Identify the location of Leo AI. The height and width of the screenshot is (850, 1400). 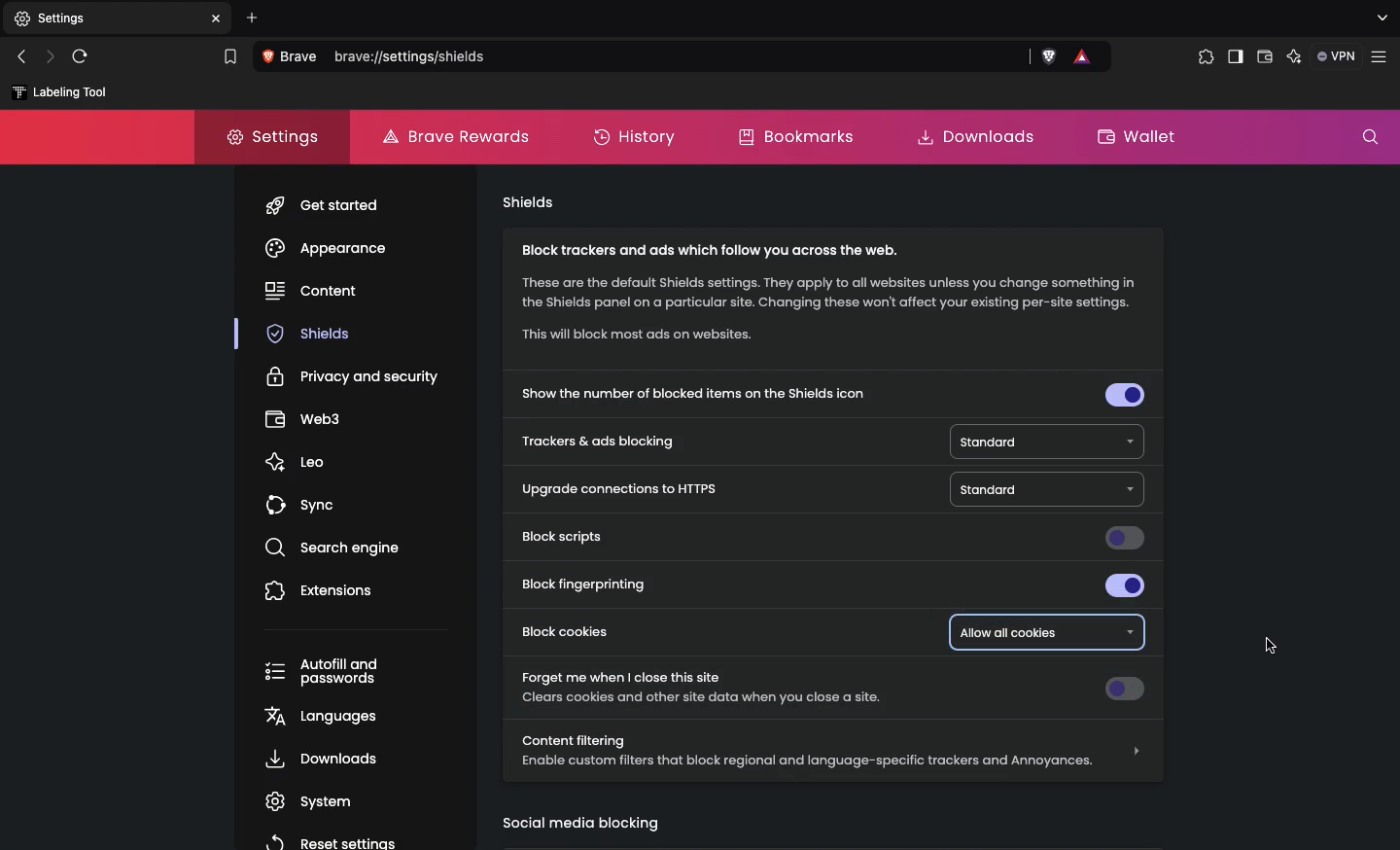
(1294, 57).